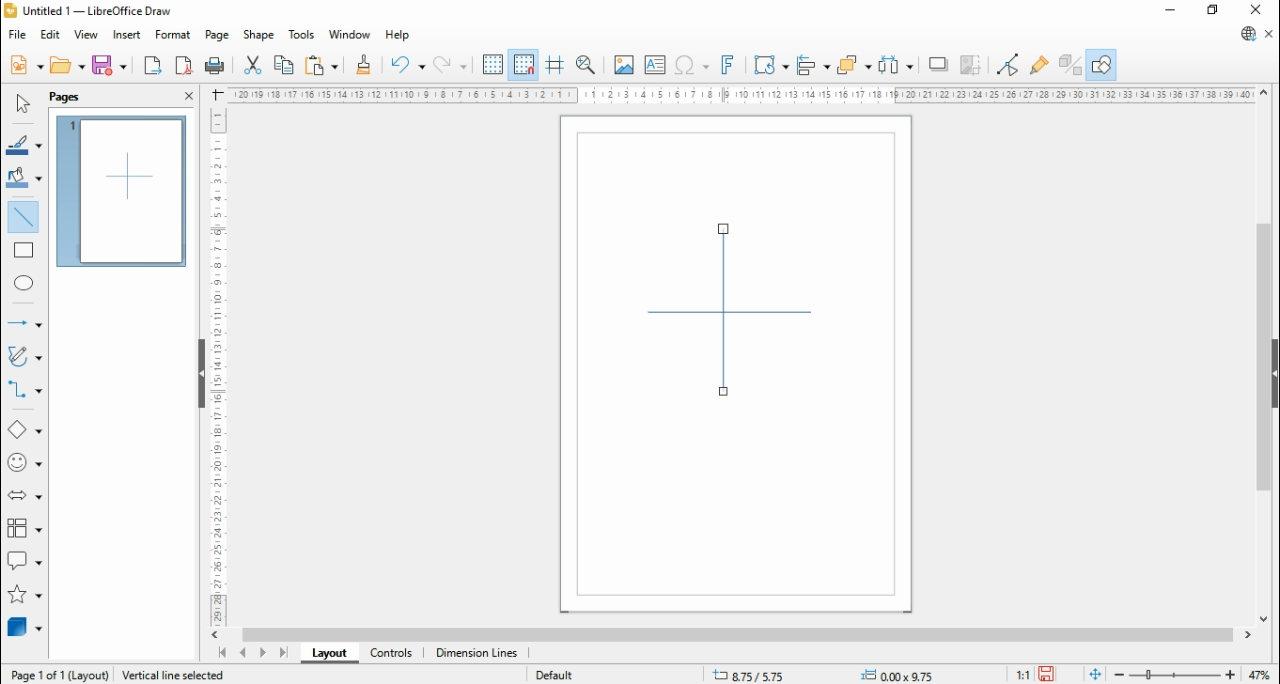 The image size is (1280, 684). I want to click on fit document to window, so click(1095, 675).